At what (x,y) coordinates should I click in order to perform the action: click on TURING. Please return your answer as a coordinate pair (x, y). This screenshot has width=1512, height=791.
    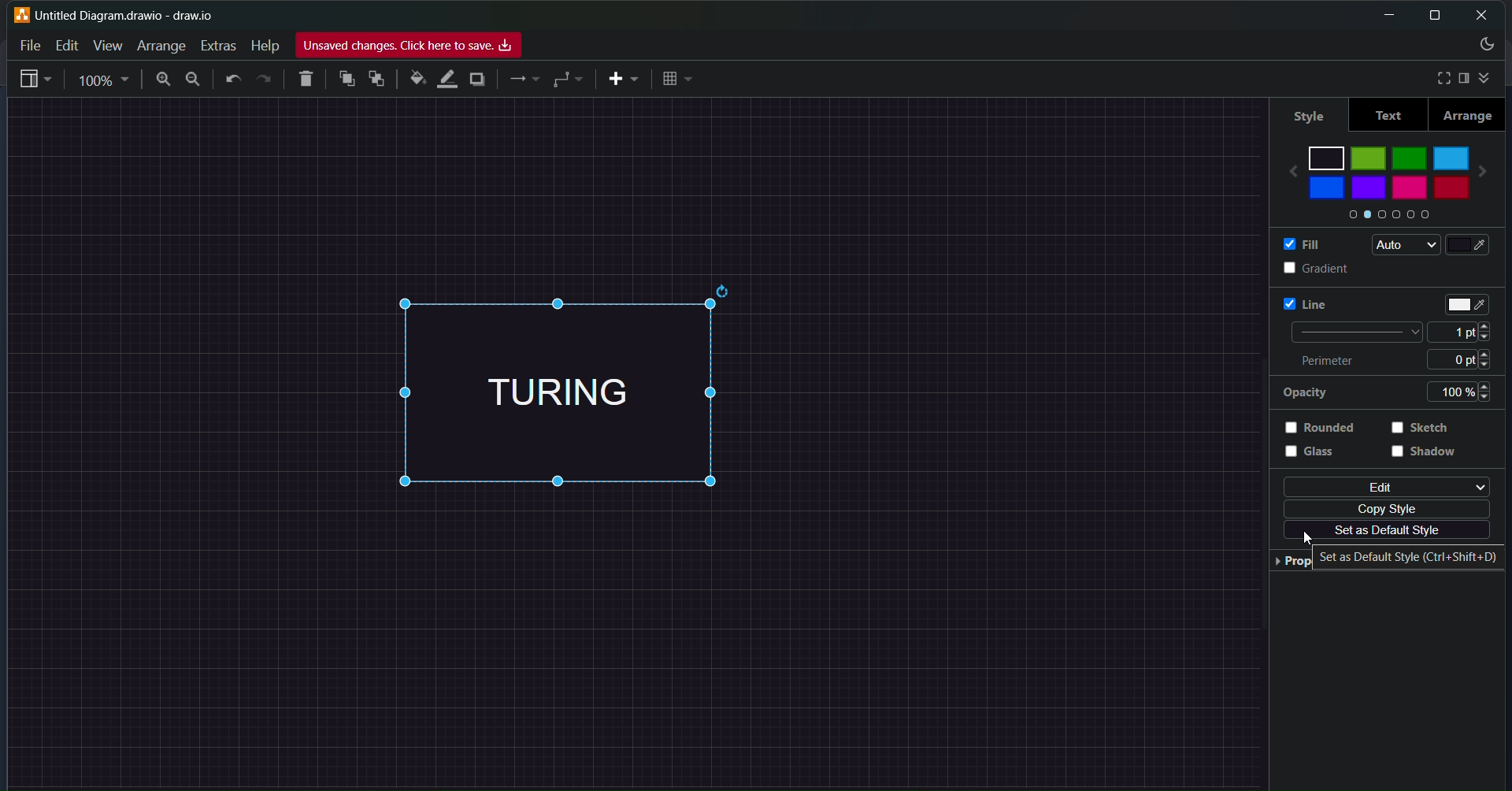
    Looking at the image, I should click on (591, 392).